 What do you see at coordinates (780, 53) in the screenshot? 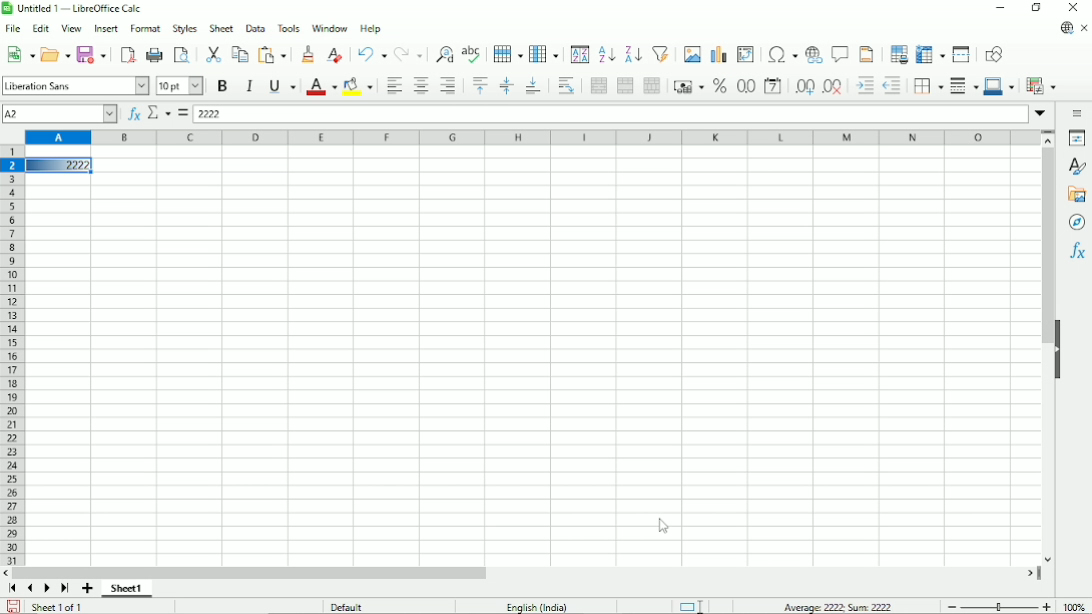
I see `Insert special characters` at bounding box center [780, 53].